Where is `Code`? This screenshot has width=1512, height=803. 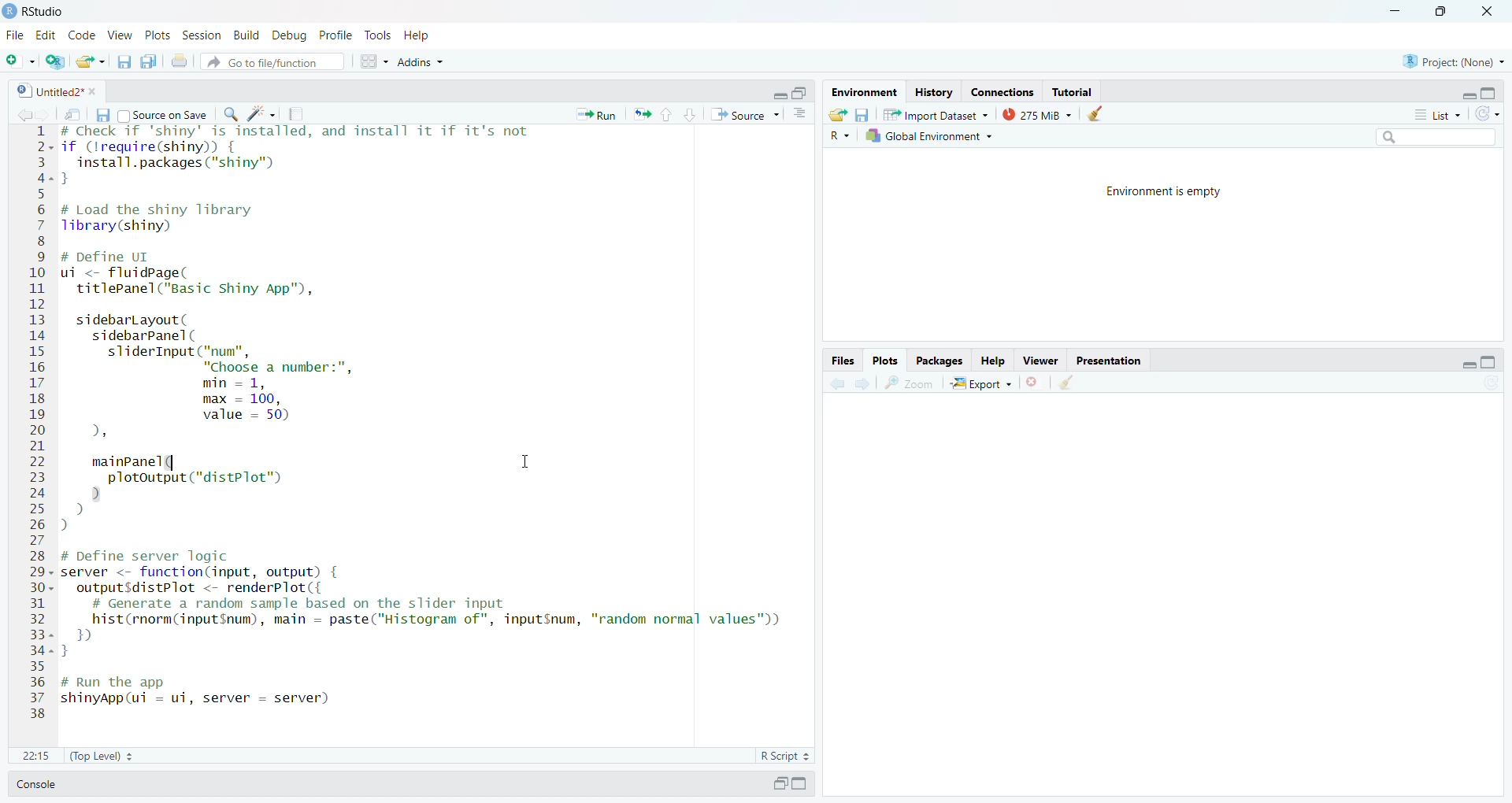
Code is located at coordinates (83, 35).